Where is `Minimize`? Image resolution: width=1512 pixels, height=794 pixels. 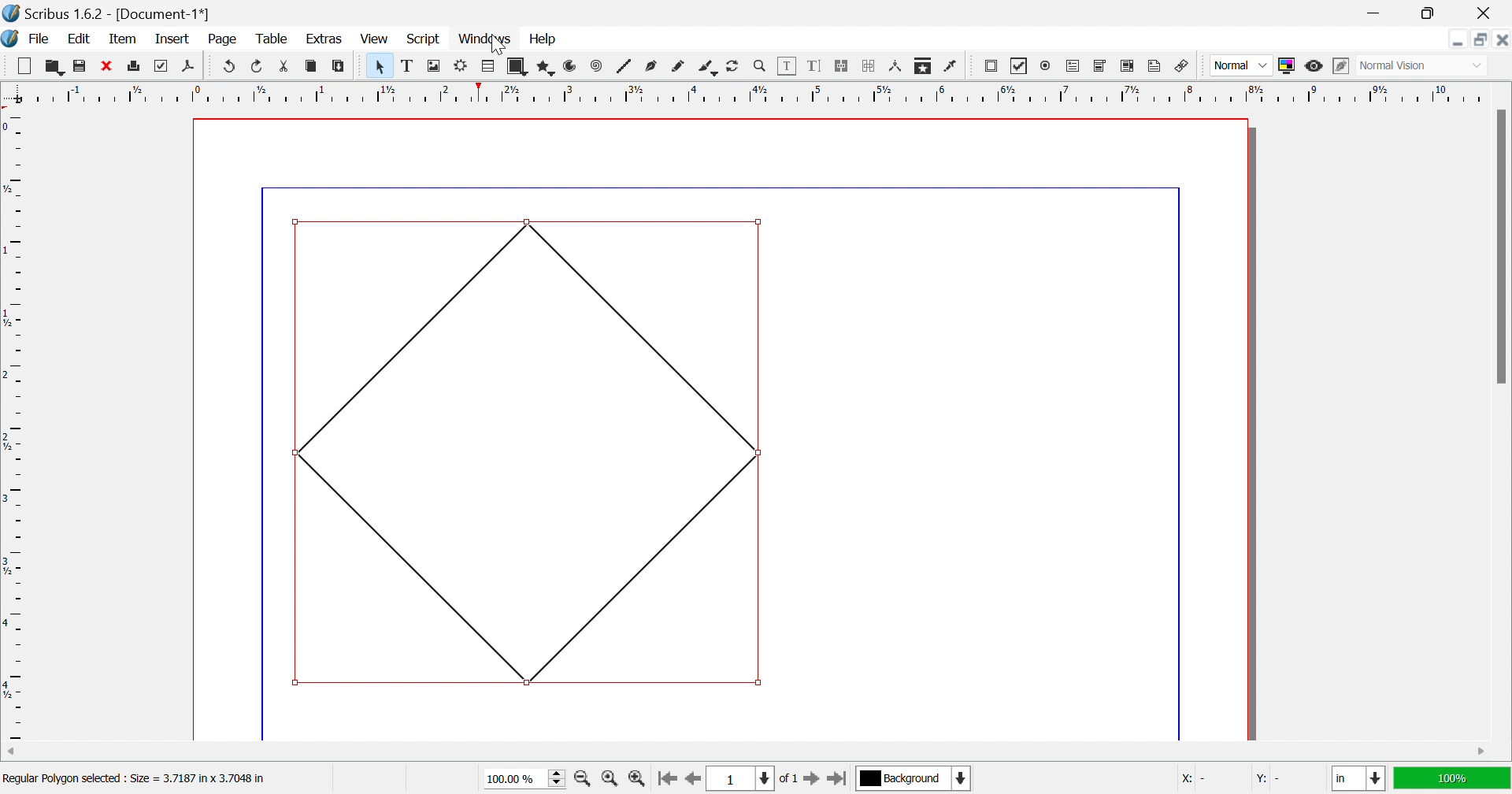 Minimize is located at coordinates (1377, 13).